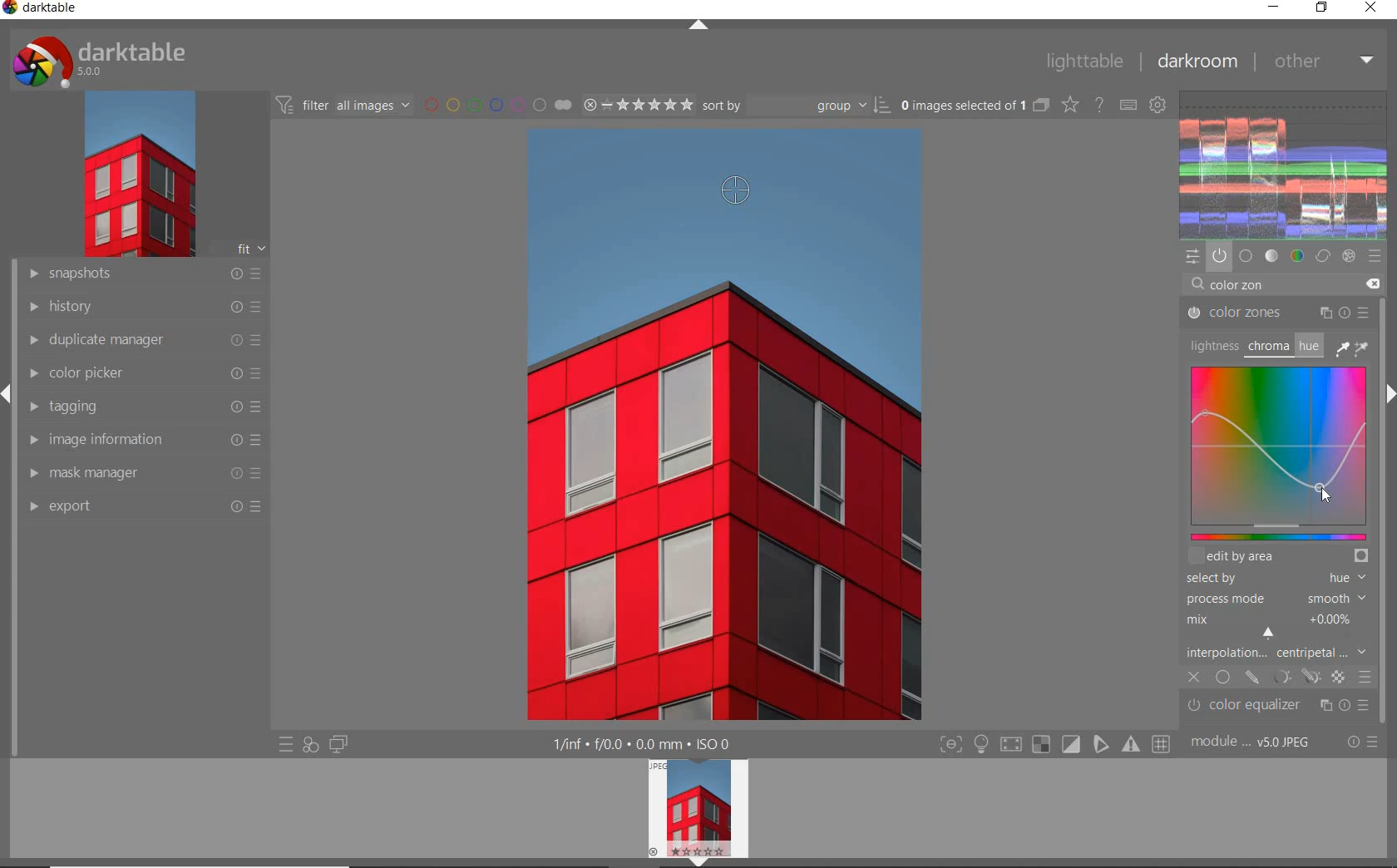  What do you see at coordinates (731, 191) in the screenshot?
I see `PICKER TOOL ADDED` at bounding box center [731, 191].